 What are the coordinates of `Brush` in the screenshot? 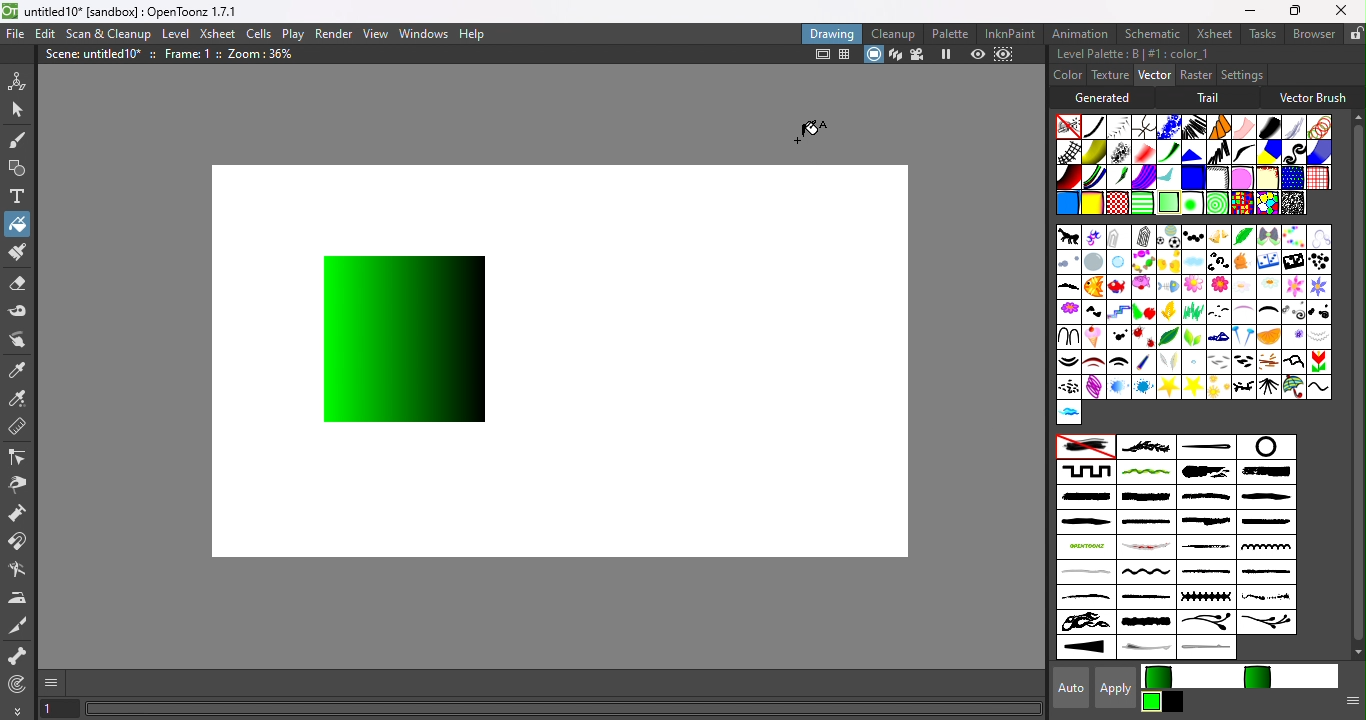 It's located at (1291, 236).